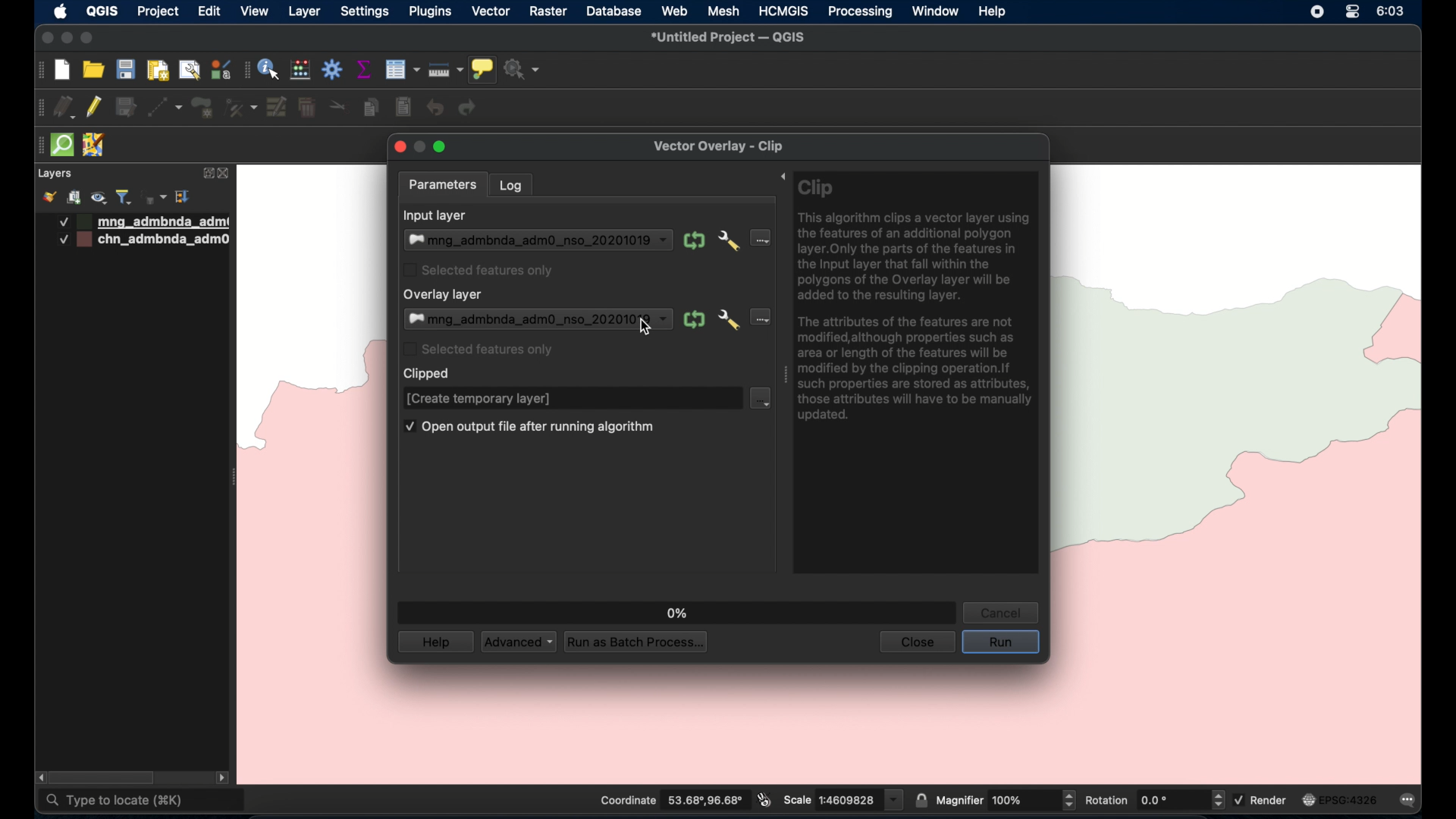 This screenshot has width=1456, height=819. I want to click on help, so click(993, 12).